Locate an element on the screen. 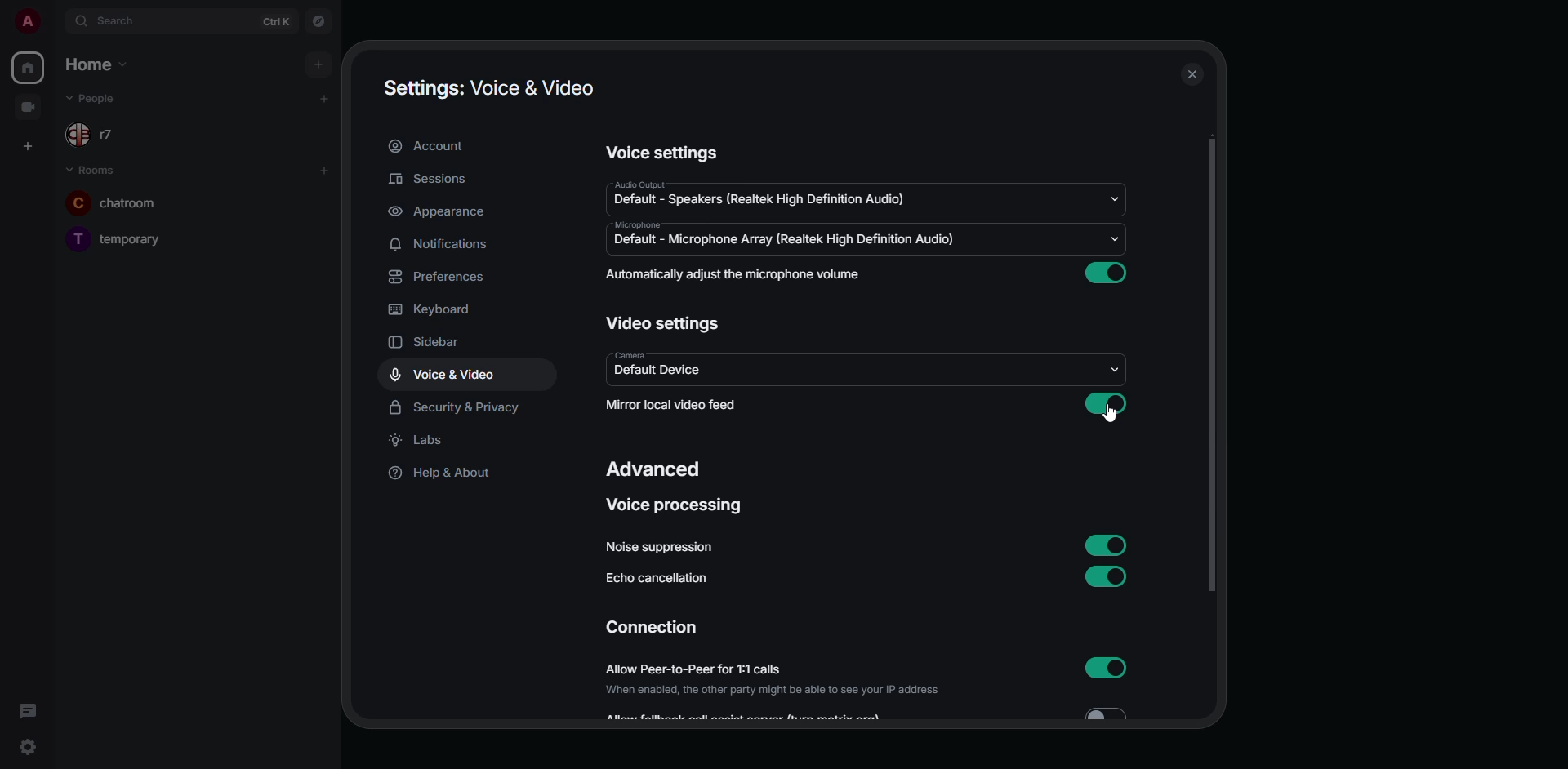 This screenshot has width=1568, height=769. voice processing is located at coordinates (676, 507).